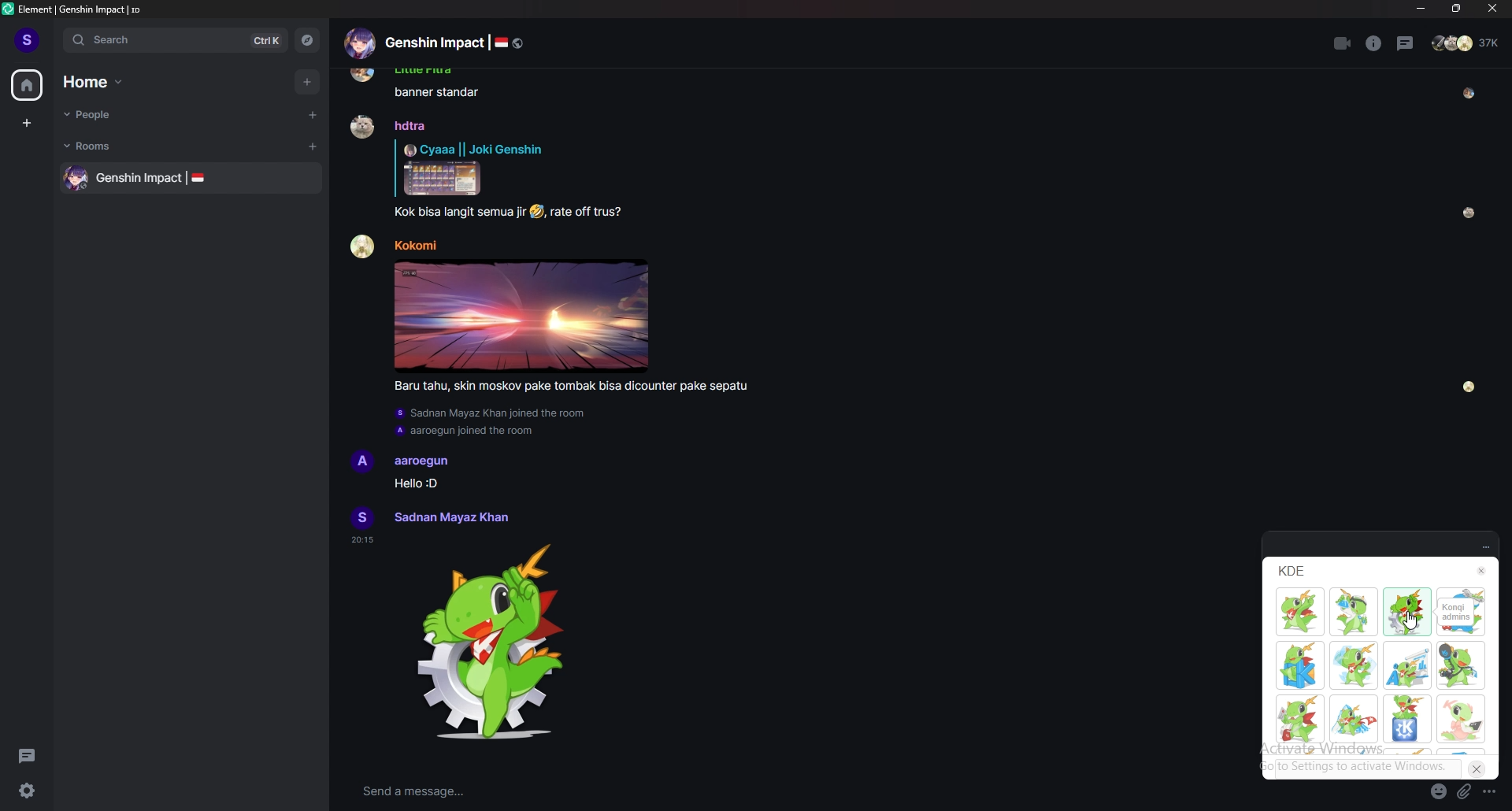  What do you see at coordinates (362, 461) in the screenshot?
I see `Profile picture` at bounding box center [362, 461].